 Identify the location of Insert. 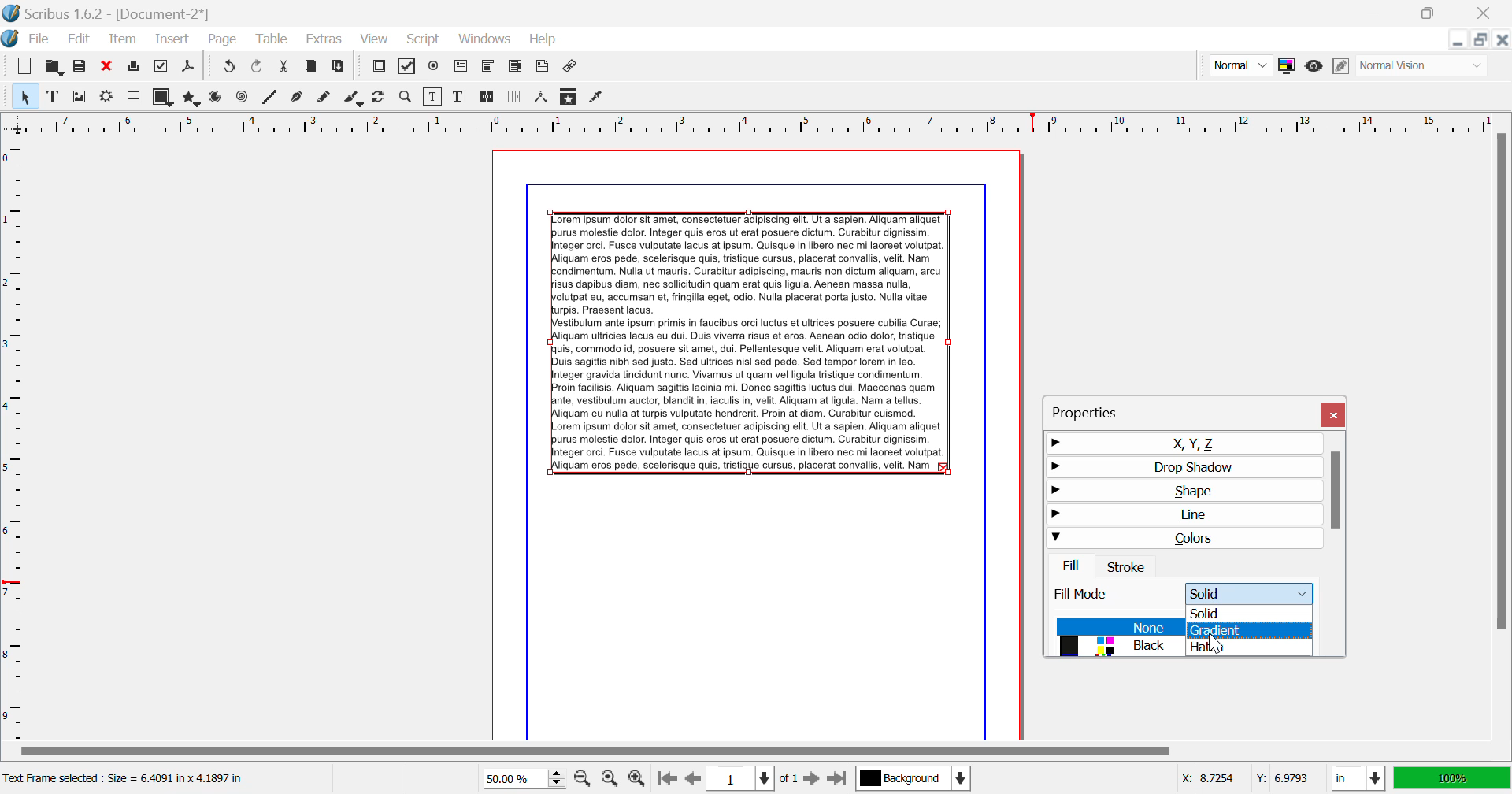
(173, 40).